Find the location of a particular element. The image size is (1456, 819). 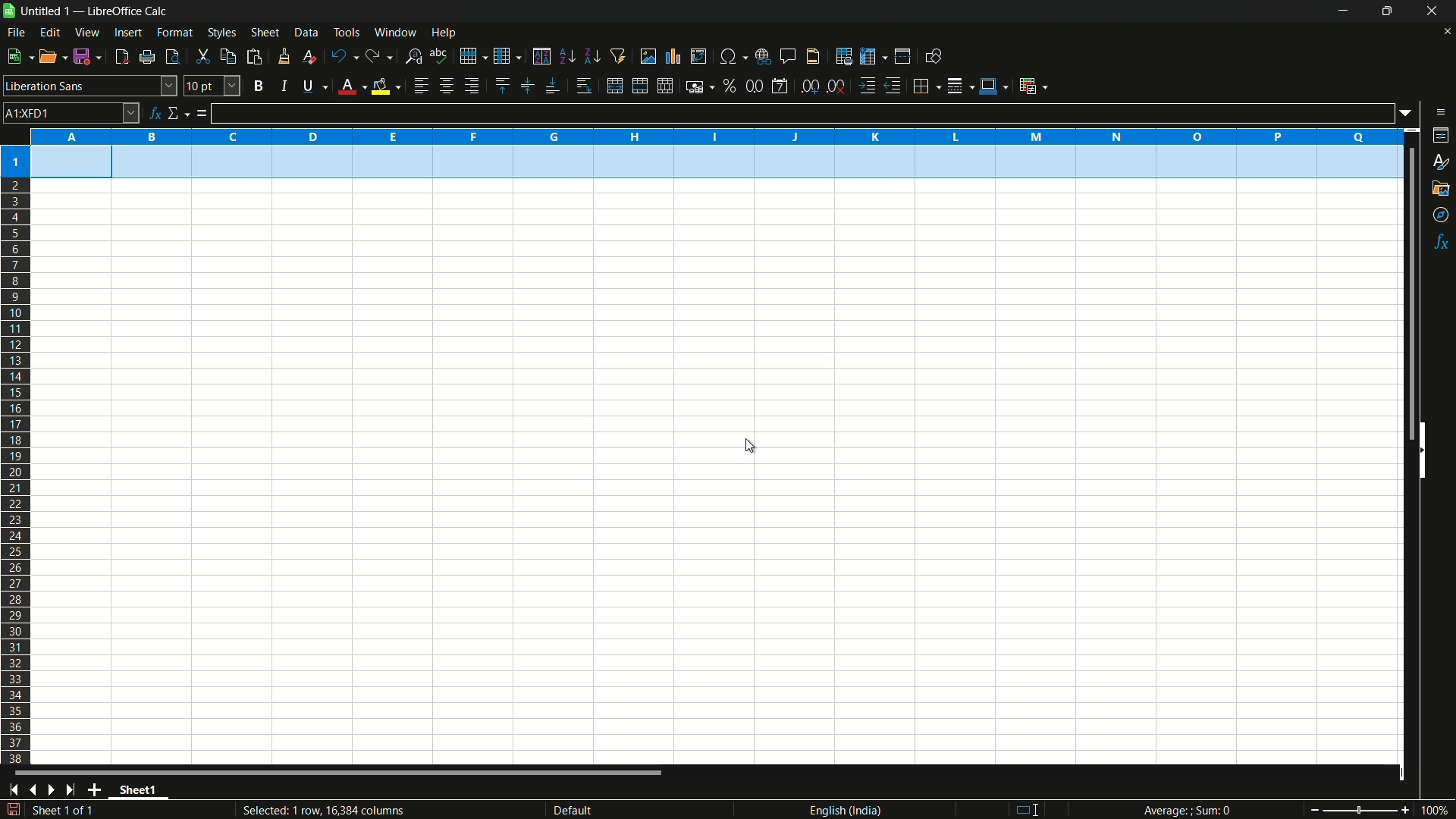

clone formatting is located at coordinates (284, 56).